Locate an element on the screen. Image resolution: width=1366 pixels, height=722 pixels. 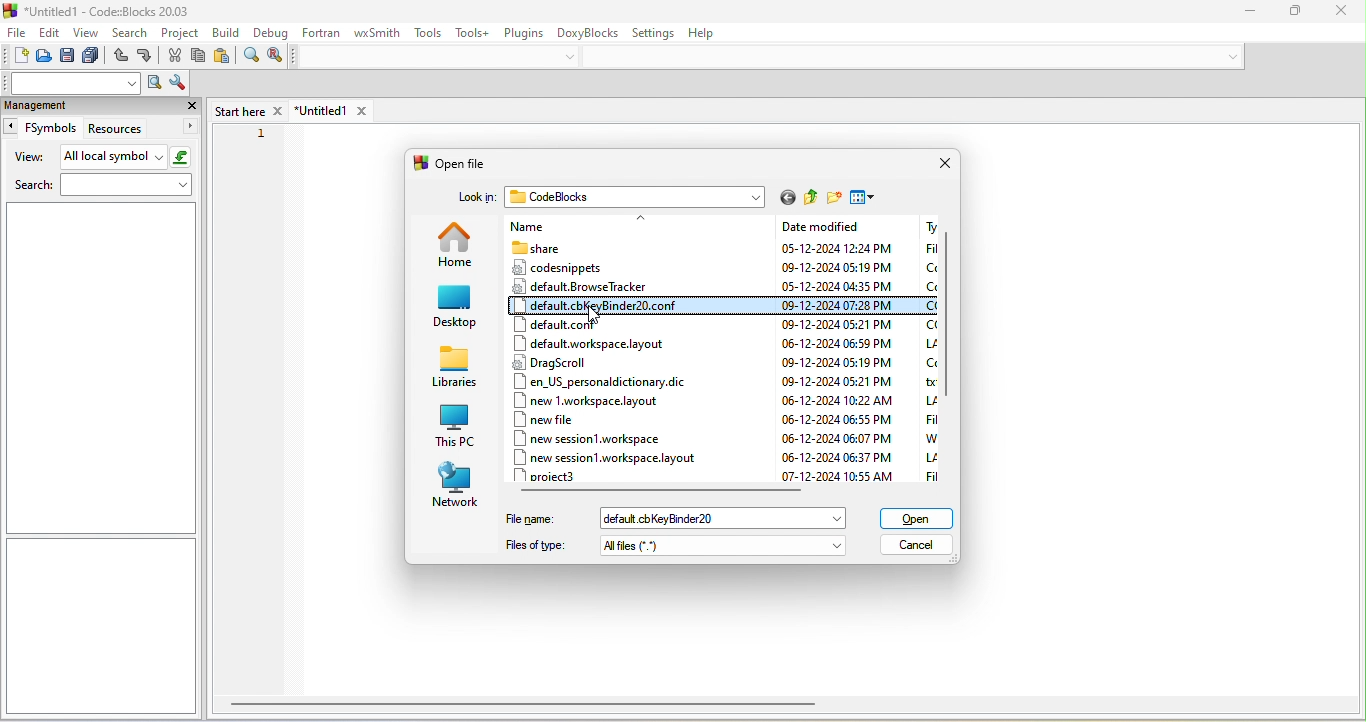
this pc is located at coordinates (456, 427).